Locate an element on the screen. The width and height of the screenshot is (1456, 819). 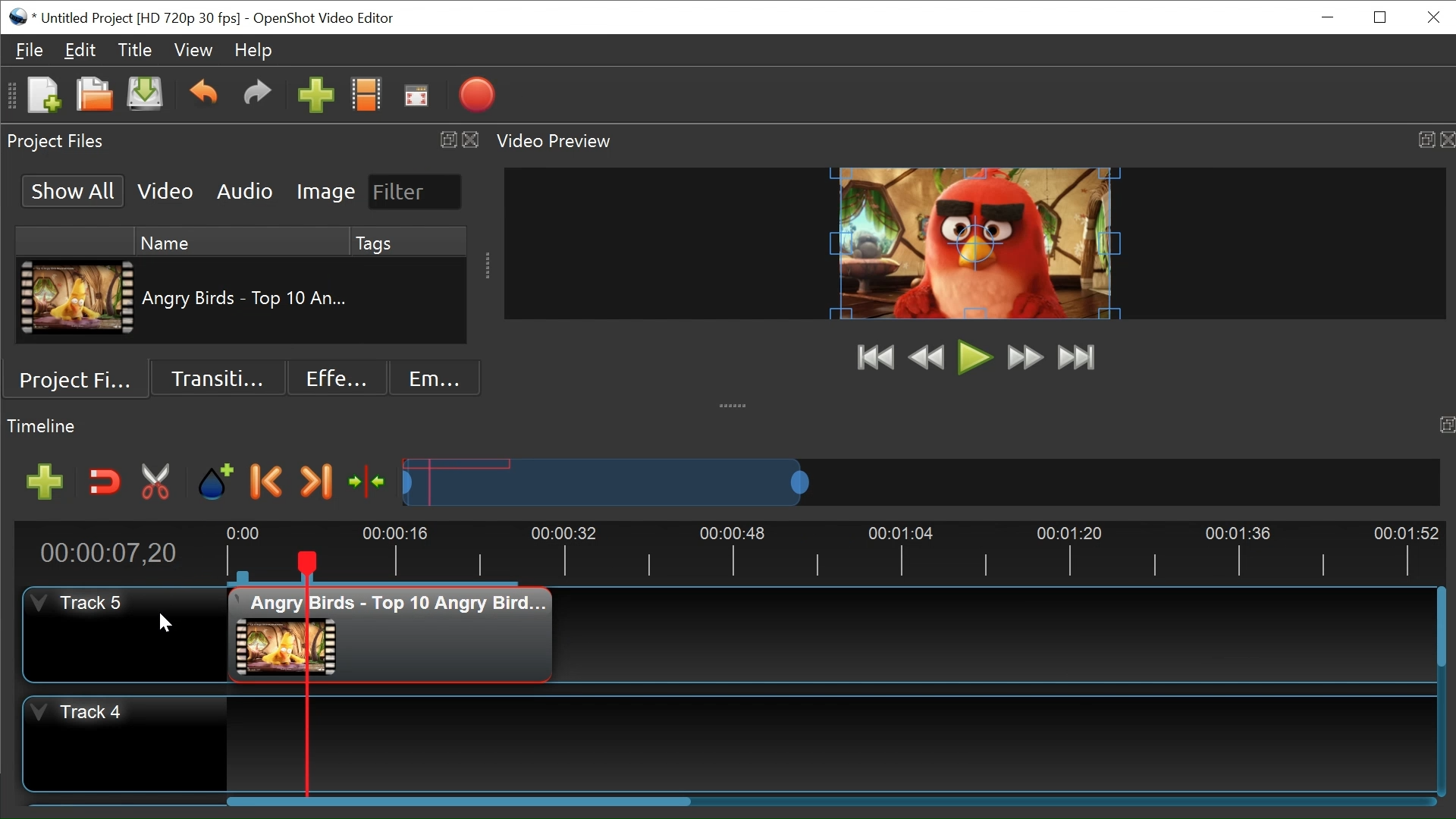
Timeline is located at coordinates (831, 551).